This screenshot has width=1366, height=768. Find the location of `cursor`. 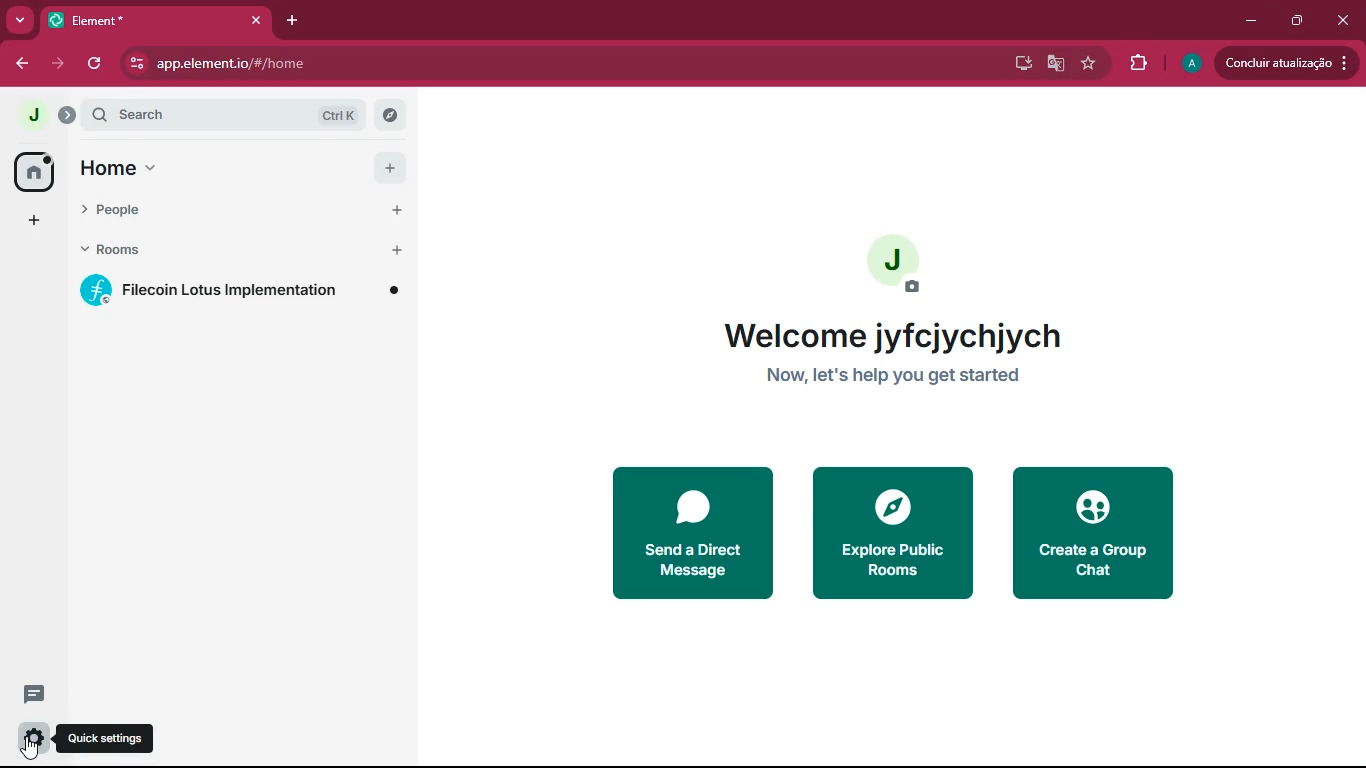

cursor is located at coordinates (28, 748).